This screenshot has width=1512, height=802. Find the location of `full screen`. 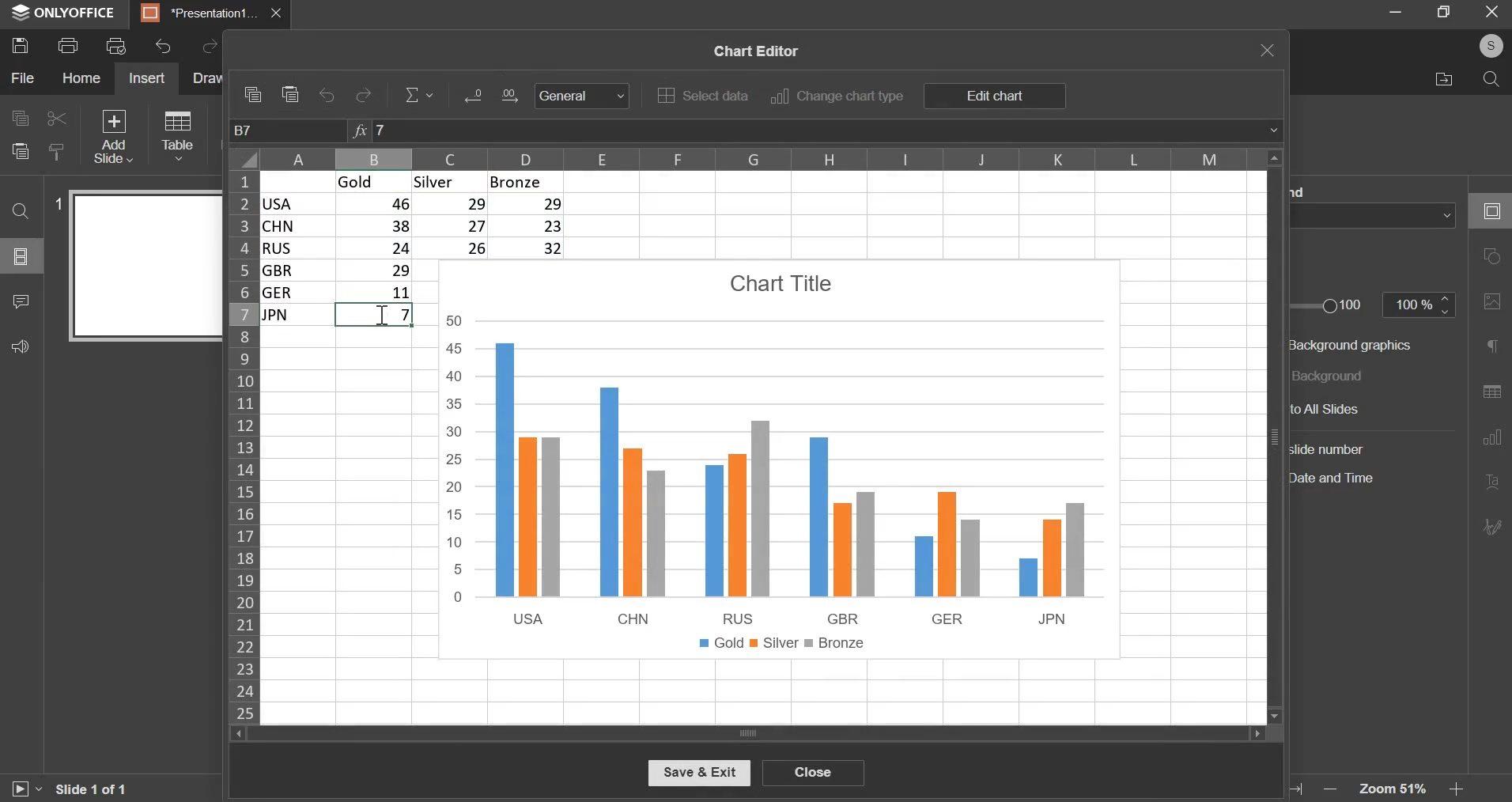

full screen is located at coordinates (1443, 11).